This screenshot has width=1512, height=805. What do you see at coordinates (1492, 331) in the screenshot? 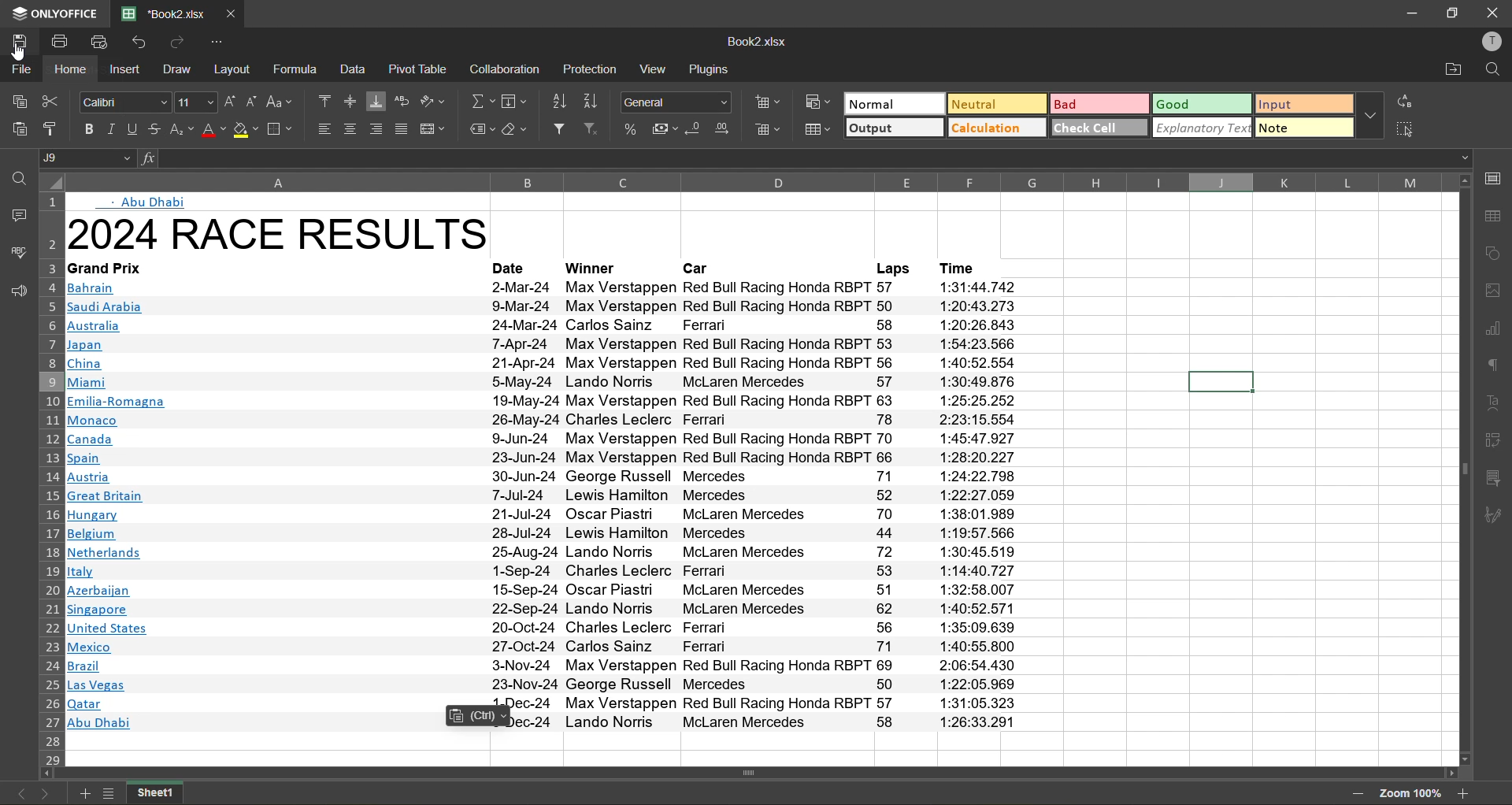
I see `charts` at bounding box center [1492, 331].